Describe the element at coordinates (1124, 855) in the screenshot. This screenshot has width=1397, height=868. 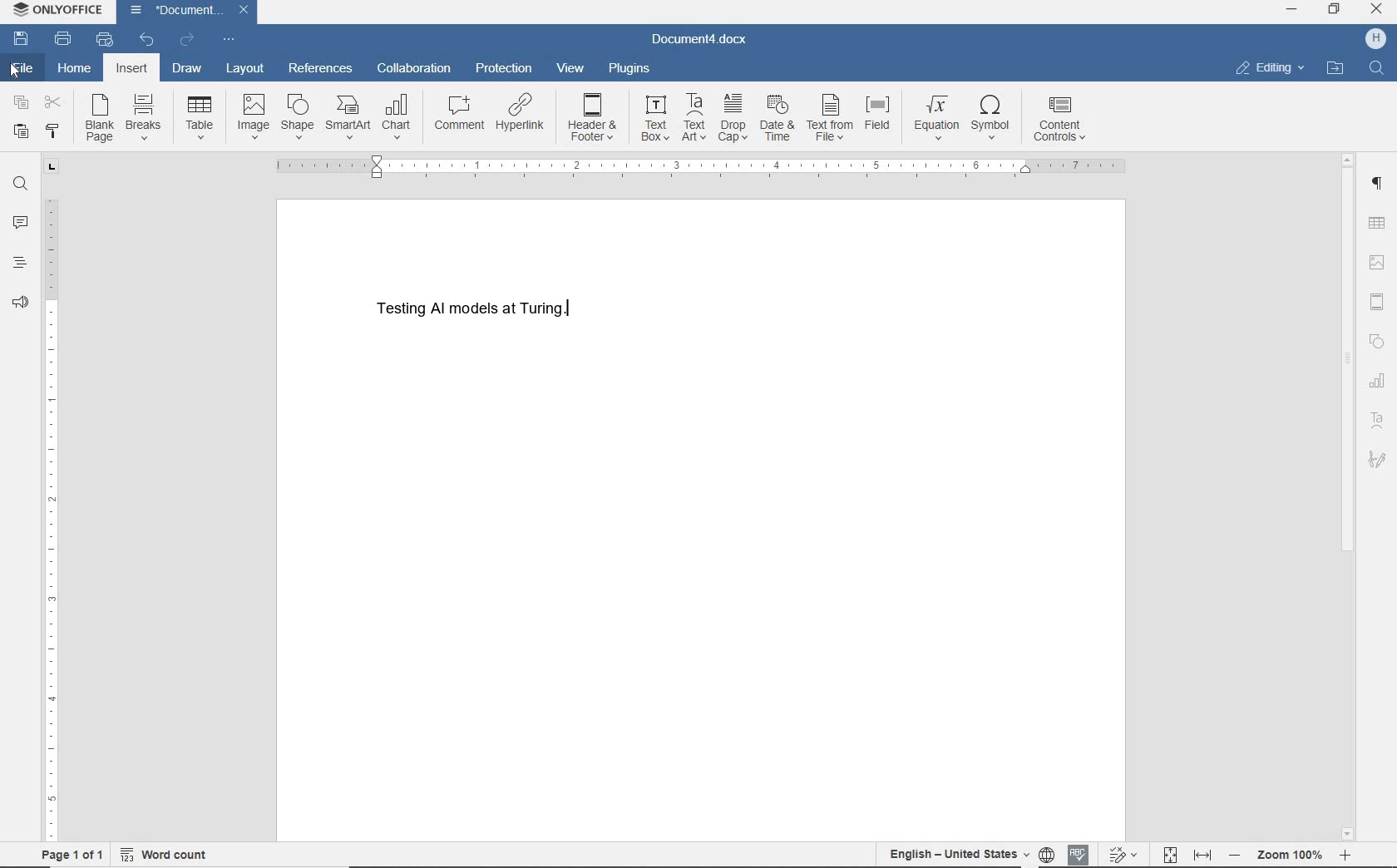
I see `track changes` at that location.